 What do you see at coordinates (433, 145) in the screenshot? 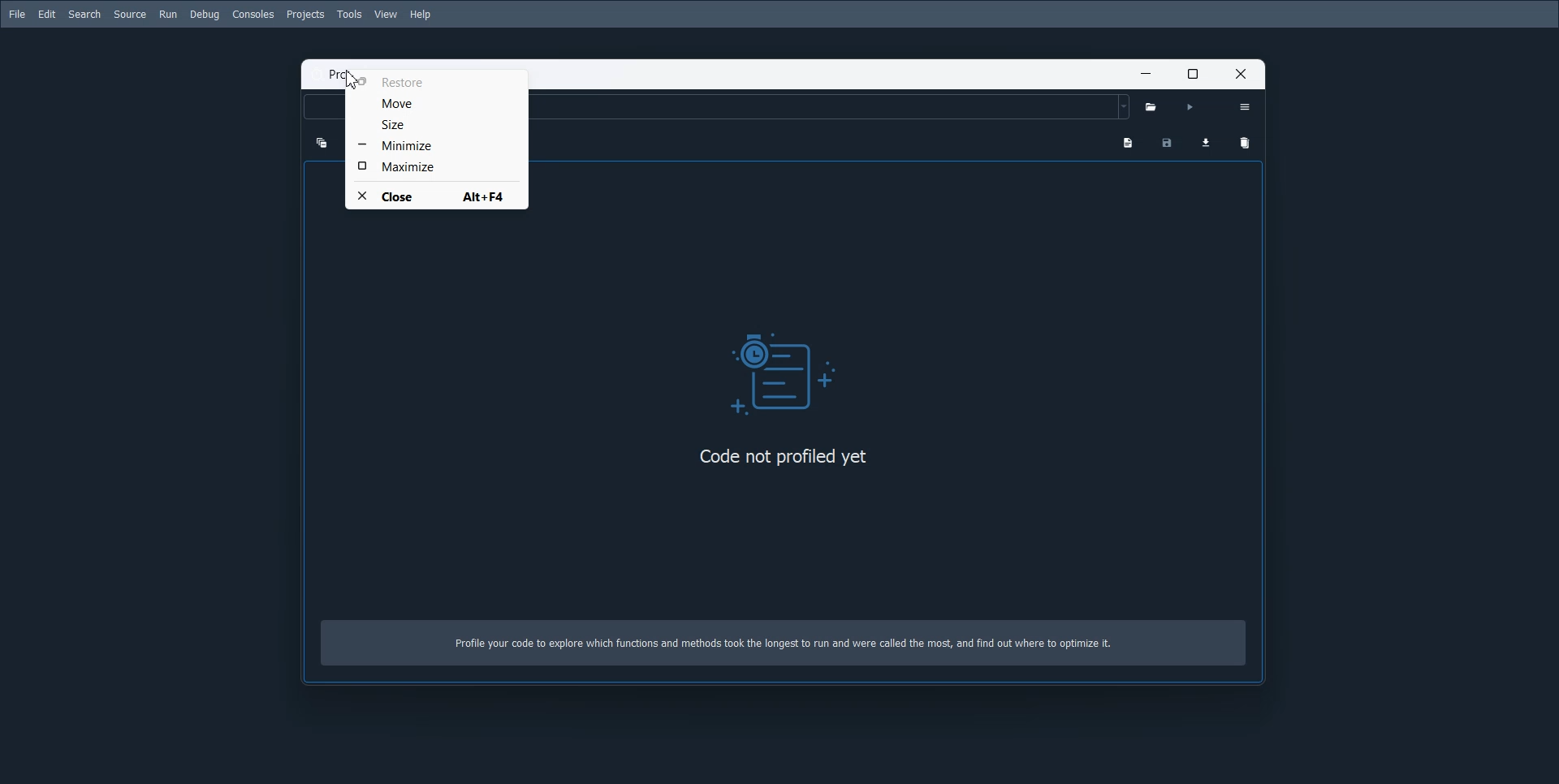
I see `Minimize` at bounding box center [433, 145].